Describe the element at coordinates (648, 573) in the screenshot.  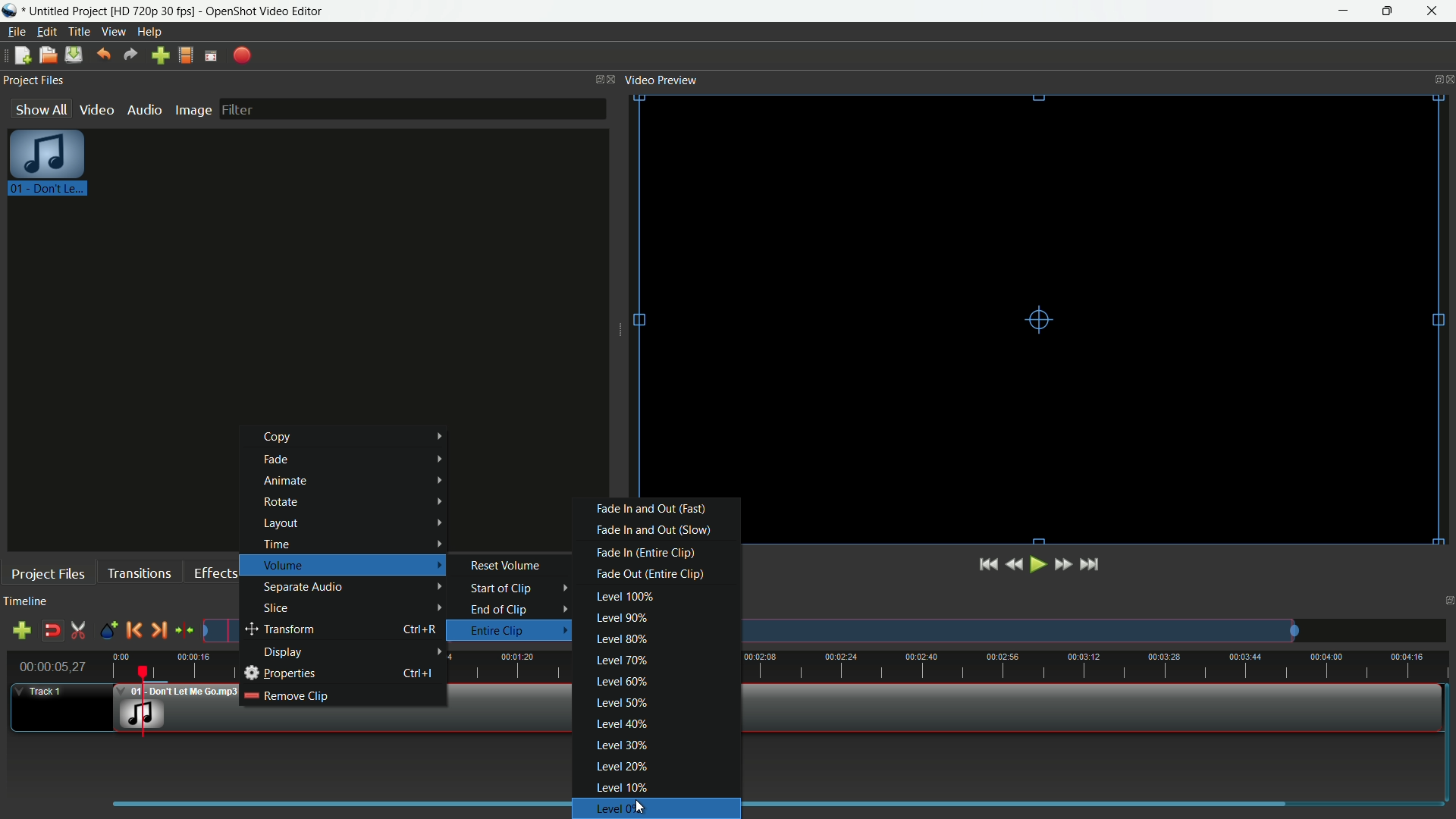
I see `fade out entire clip` at that location.